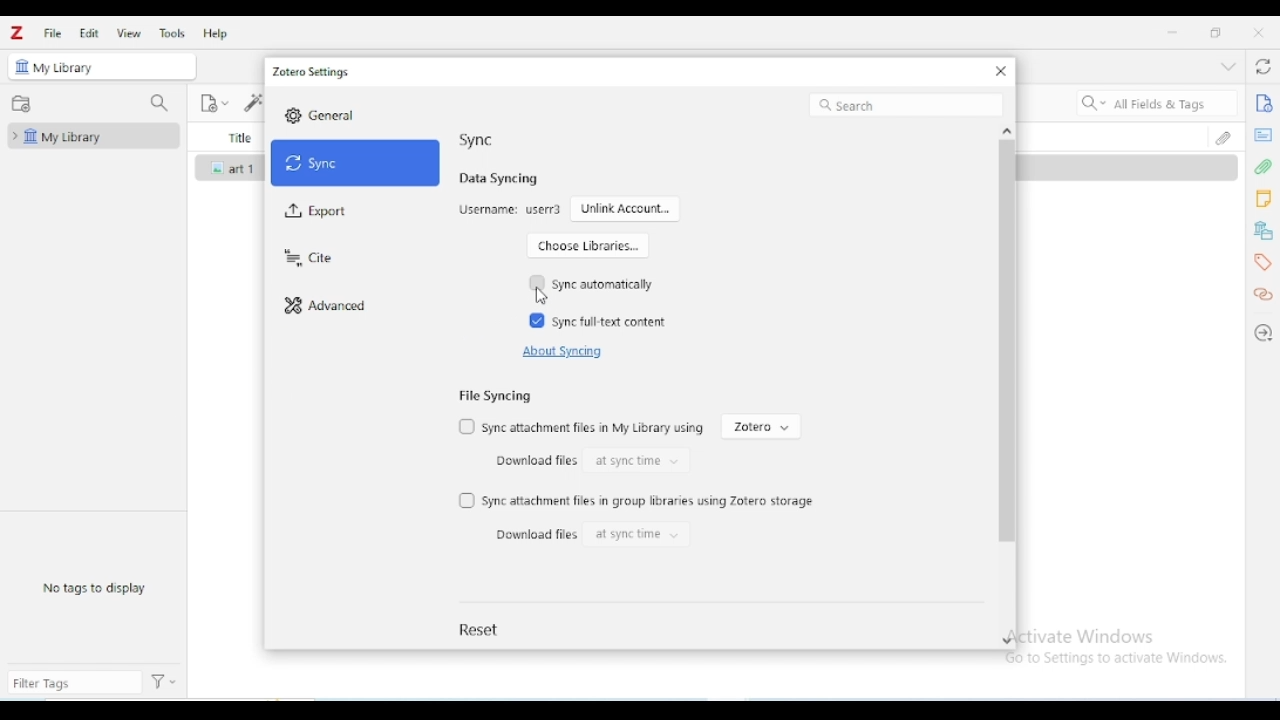 This screenshot has height=720, width=1280. I want to click on download files, so click(533, 460).